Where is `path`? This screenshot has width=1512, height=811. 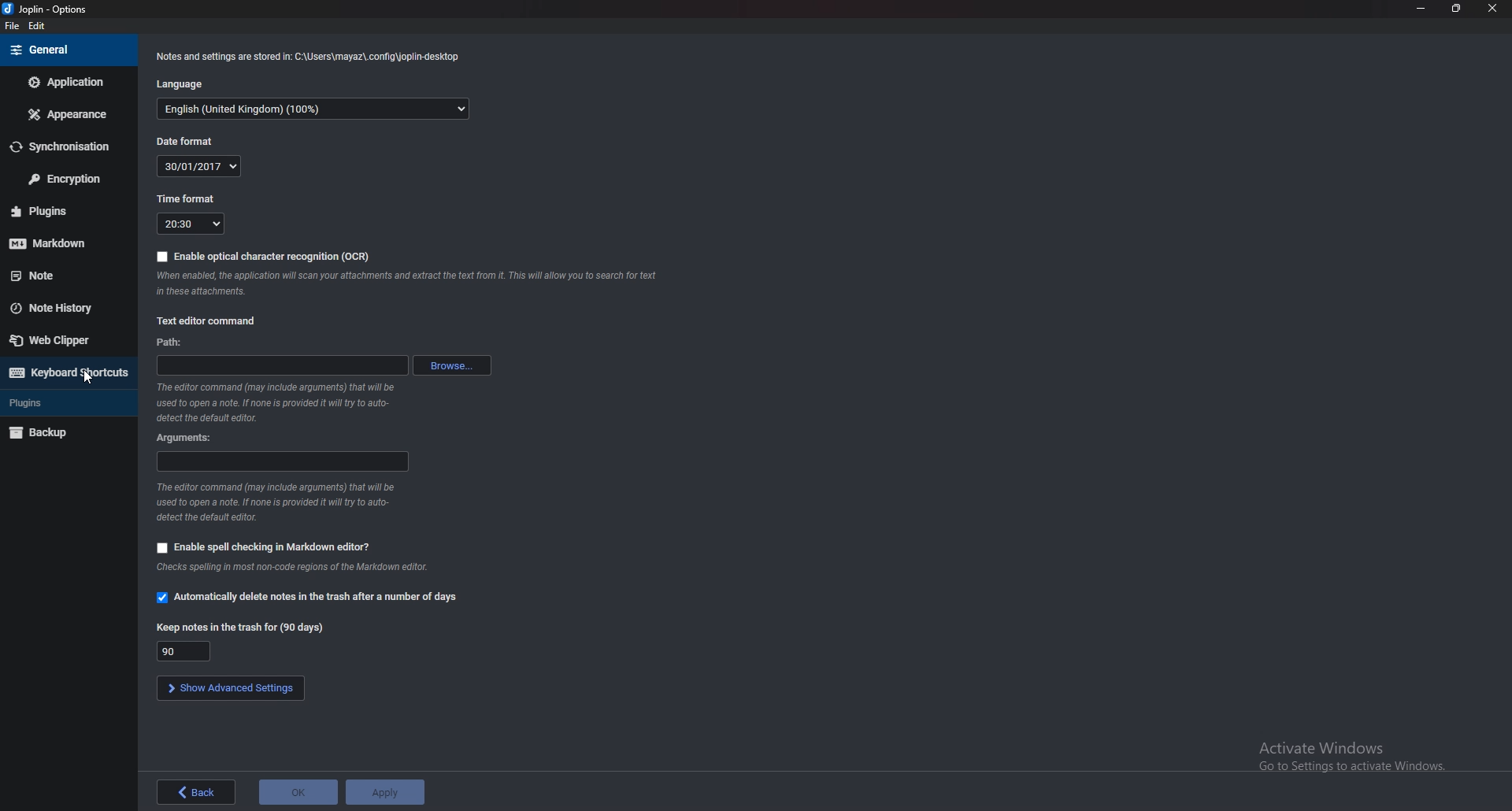 path is located at coordinates (175, 343).